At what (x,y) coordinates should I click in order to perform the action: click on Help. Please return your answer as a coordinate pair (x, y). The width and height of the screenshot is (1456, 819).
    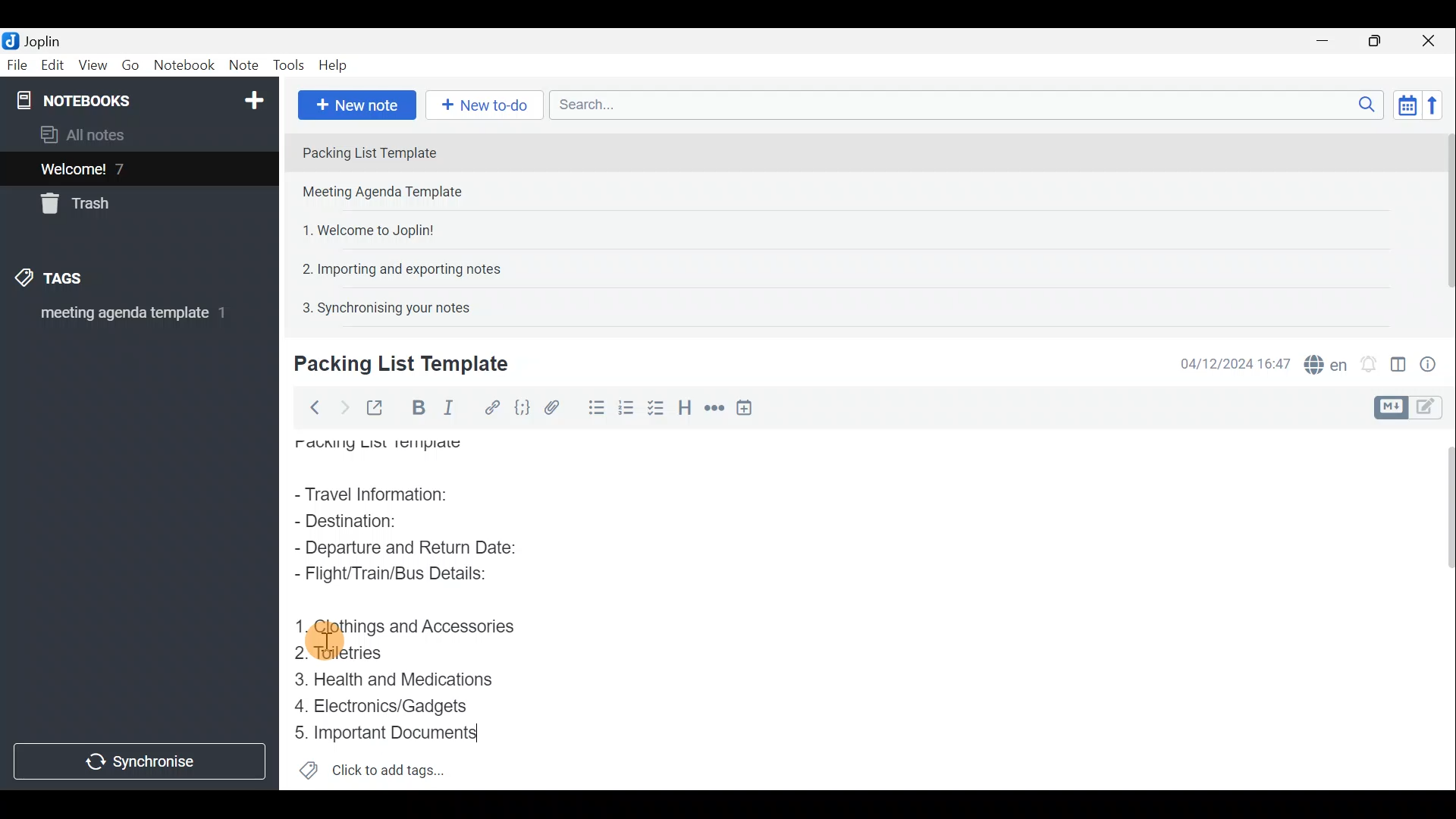
    Looking at the image, I should click on (335, 67).